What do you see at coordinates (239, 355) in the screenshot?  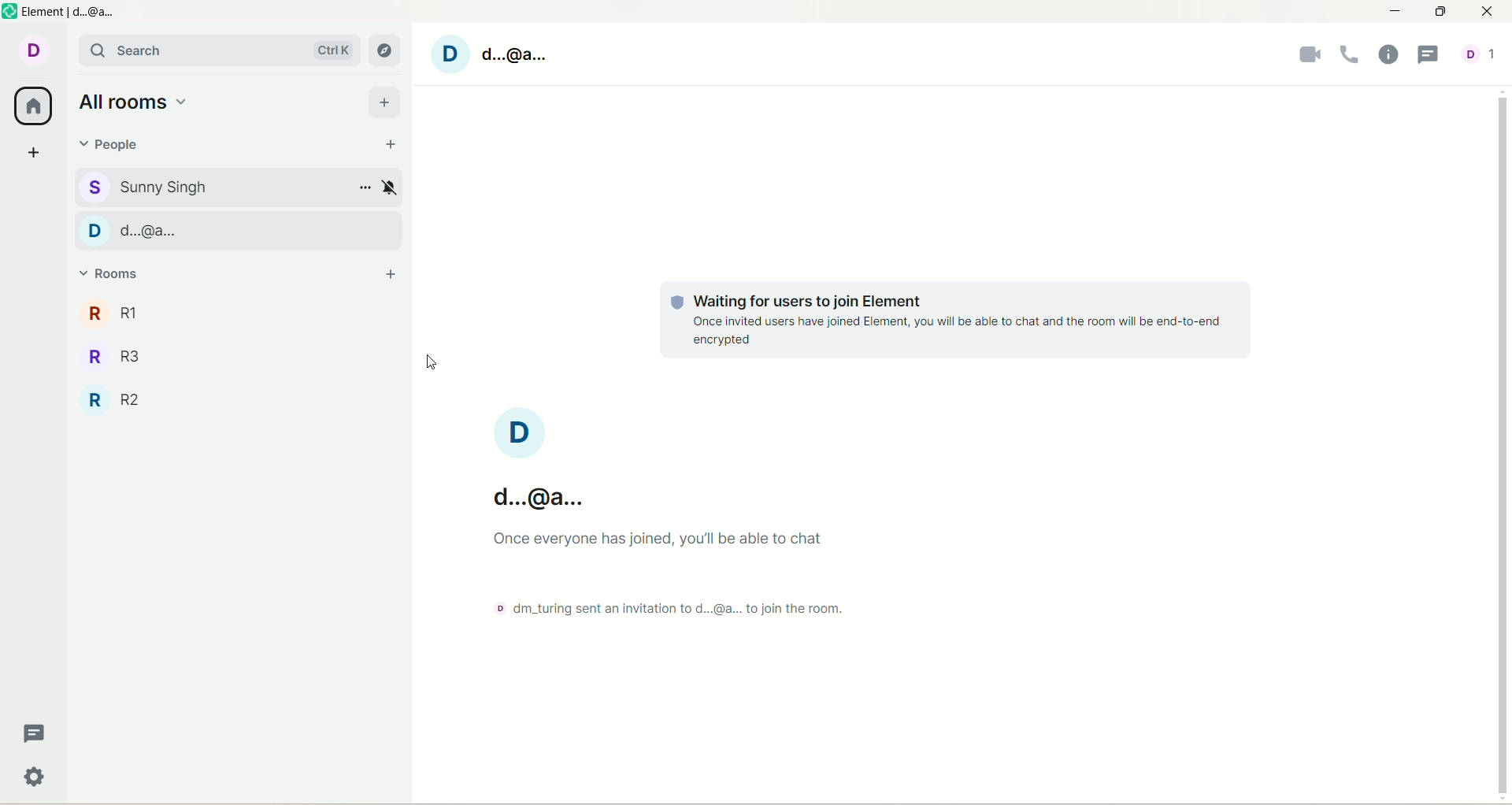 I see `R3` at bounding box center [239, 355].